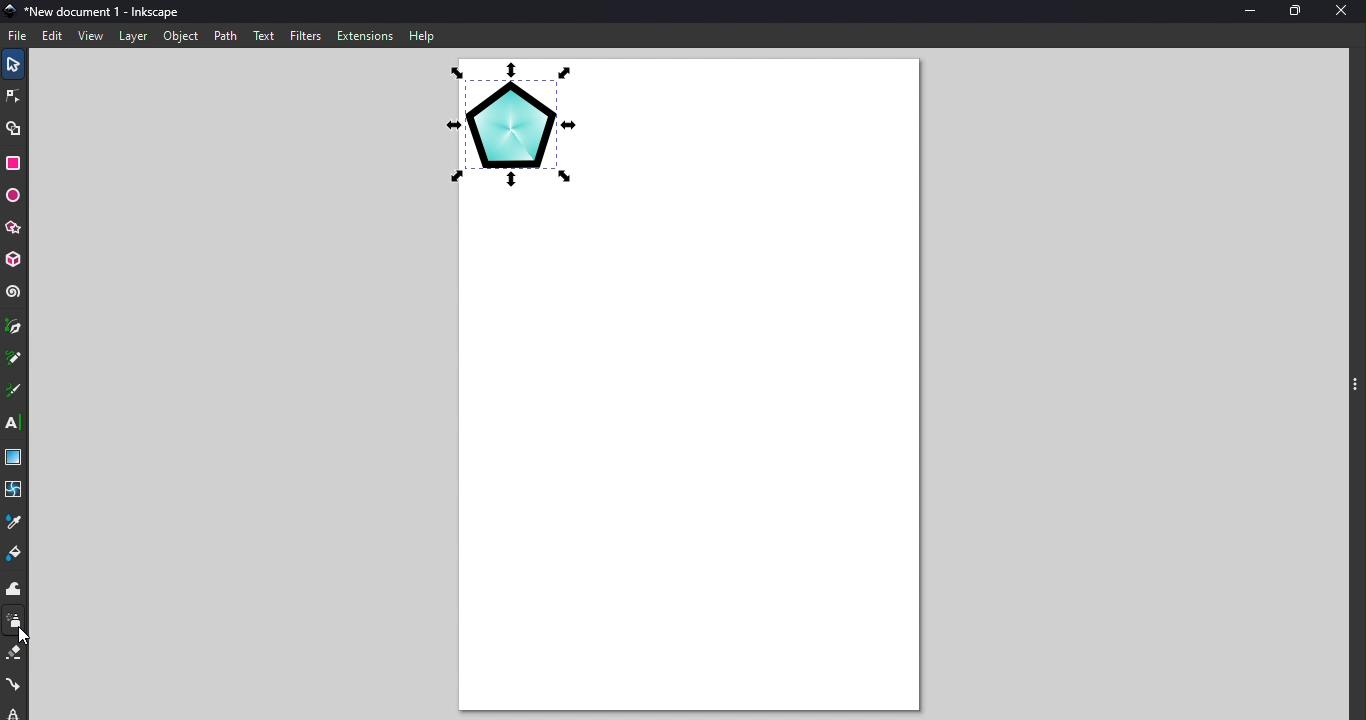 The image size is (1366, 720). Describe the element at coordinates (1295, 10) in the screenshot. I see `Maximize` at that location.